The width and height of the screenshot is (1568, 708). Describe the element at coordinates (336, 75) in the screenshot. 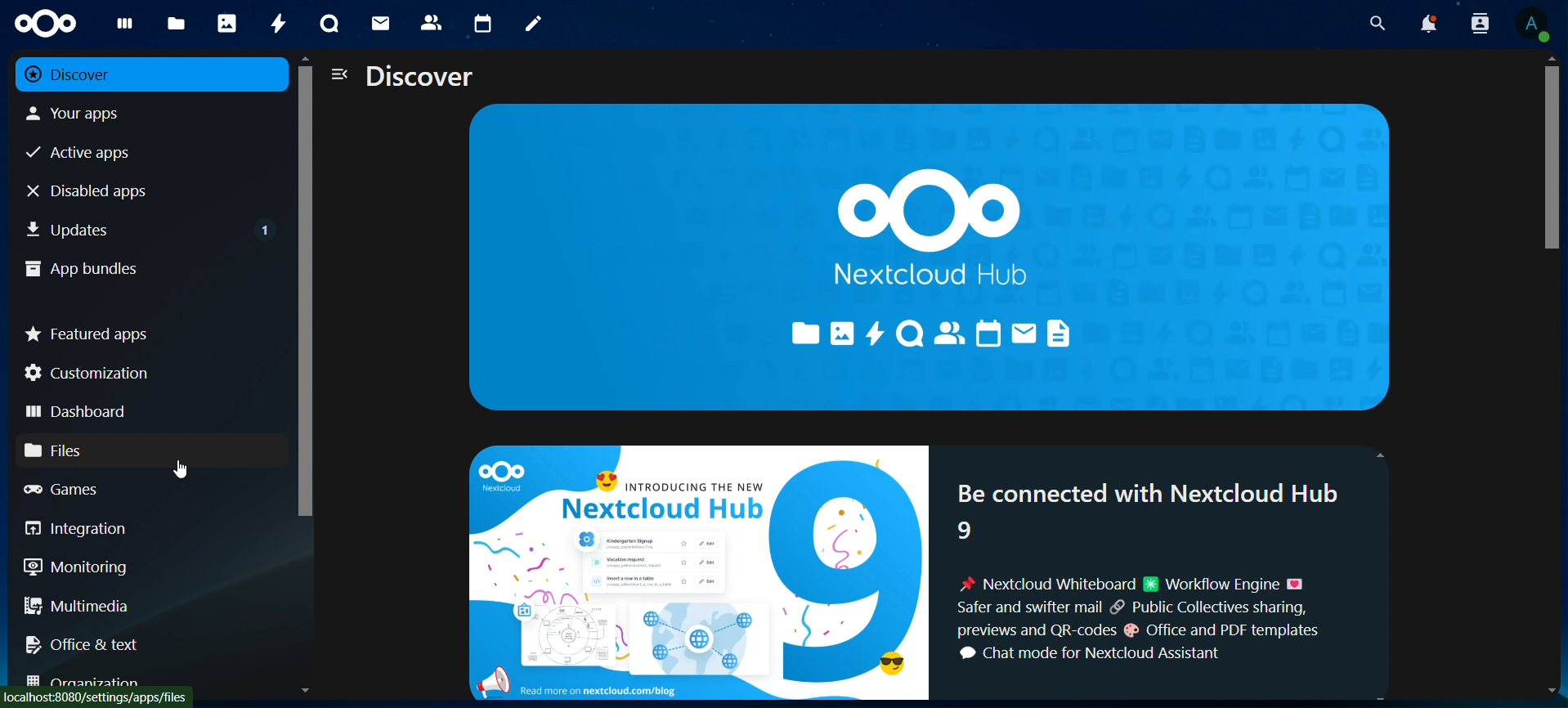

I see `close navigation` at that location.